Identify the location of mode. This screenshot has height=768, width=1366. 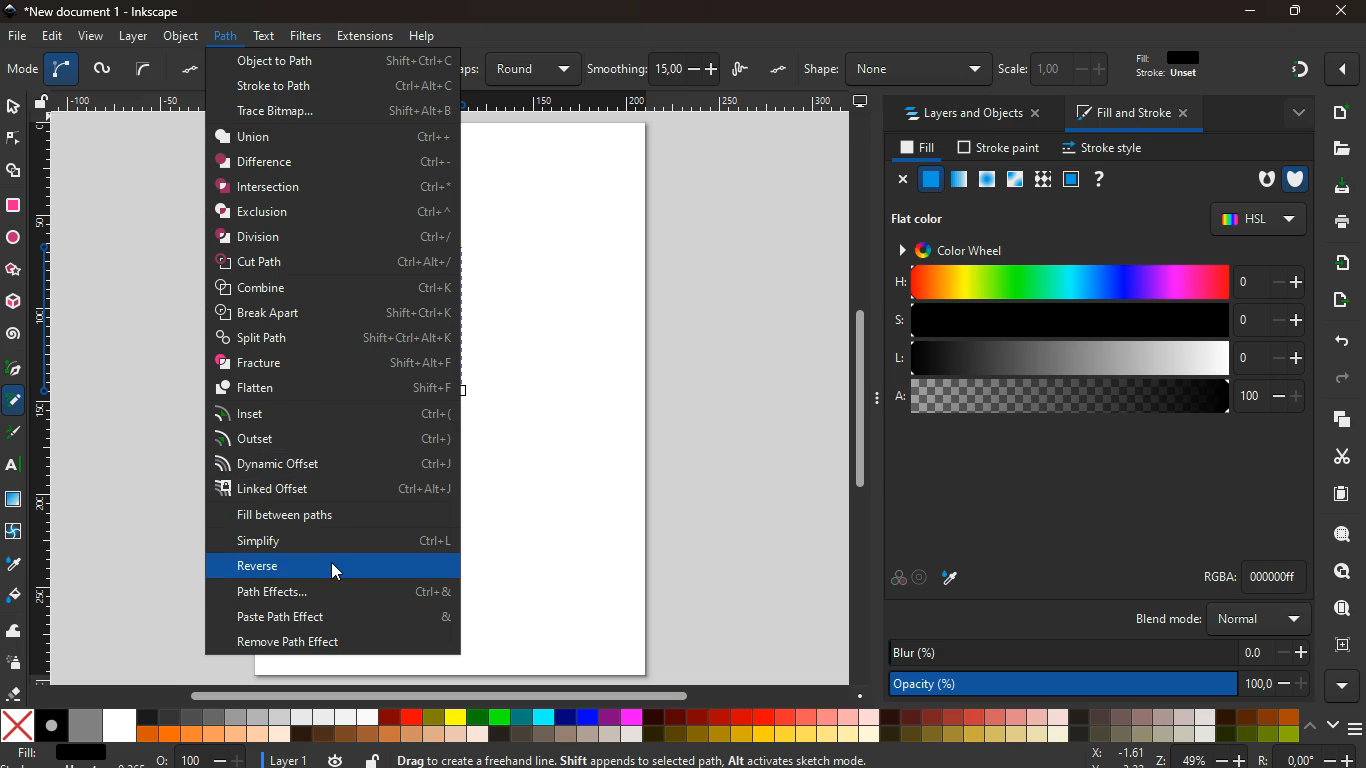
(22, 71).